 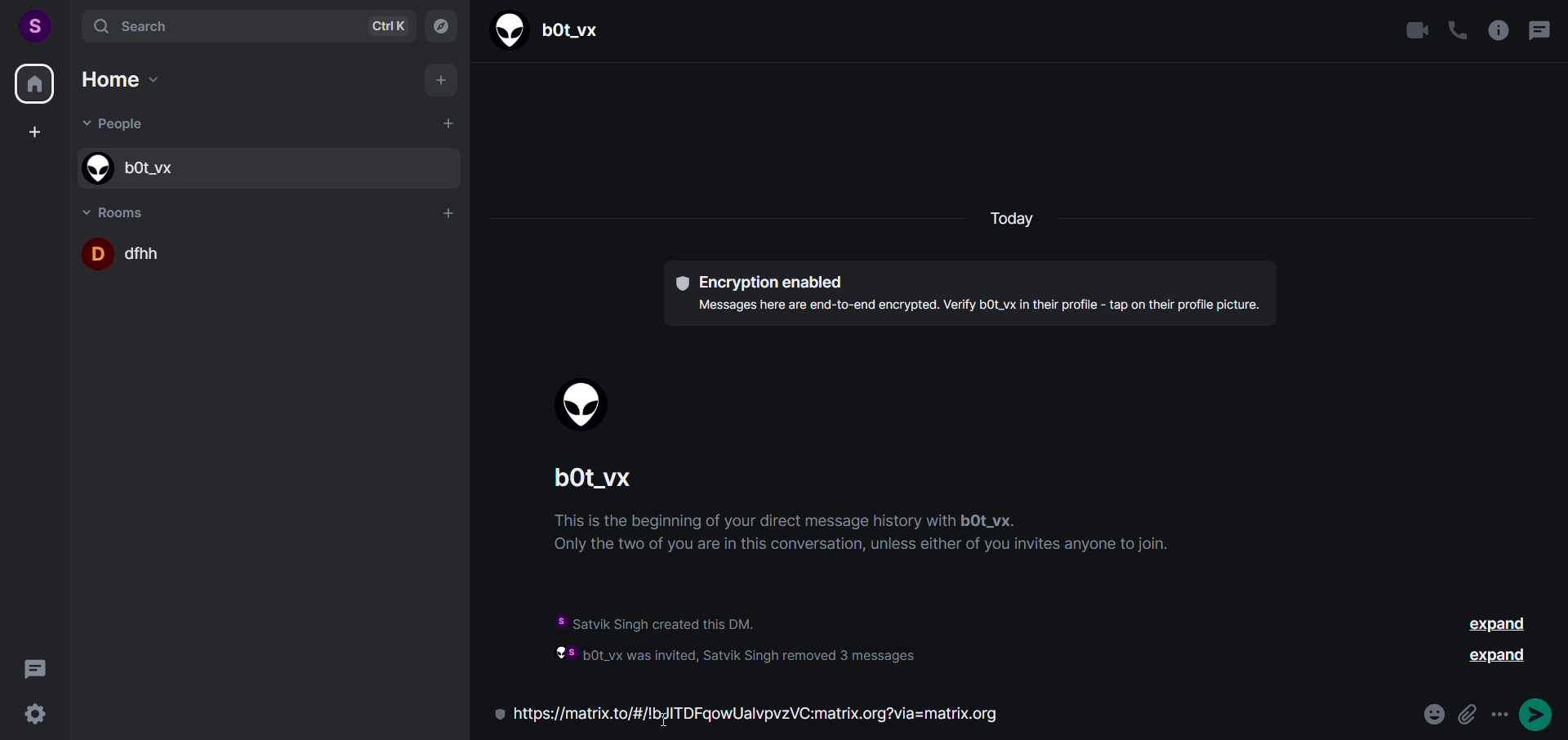 I want to click on room info, so click(x=1496, y=30).